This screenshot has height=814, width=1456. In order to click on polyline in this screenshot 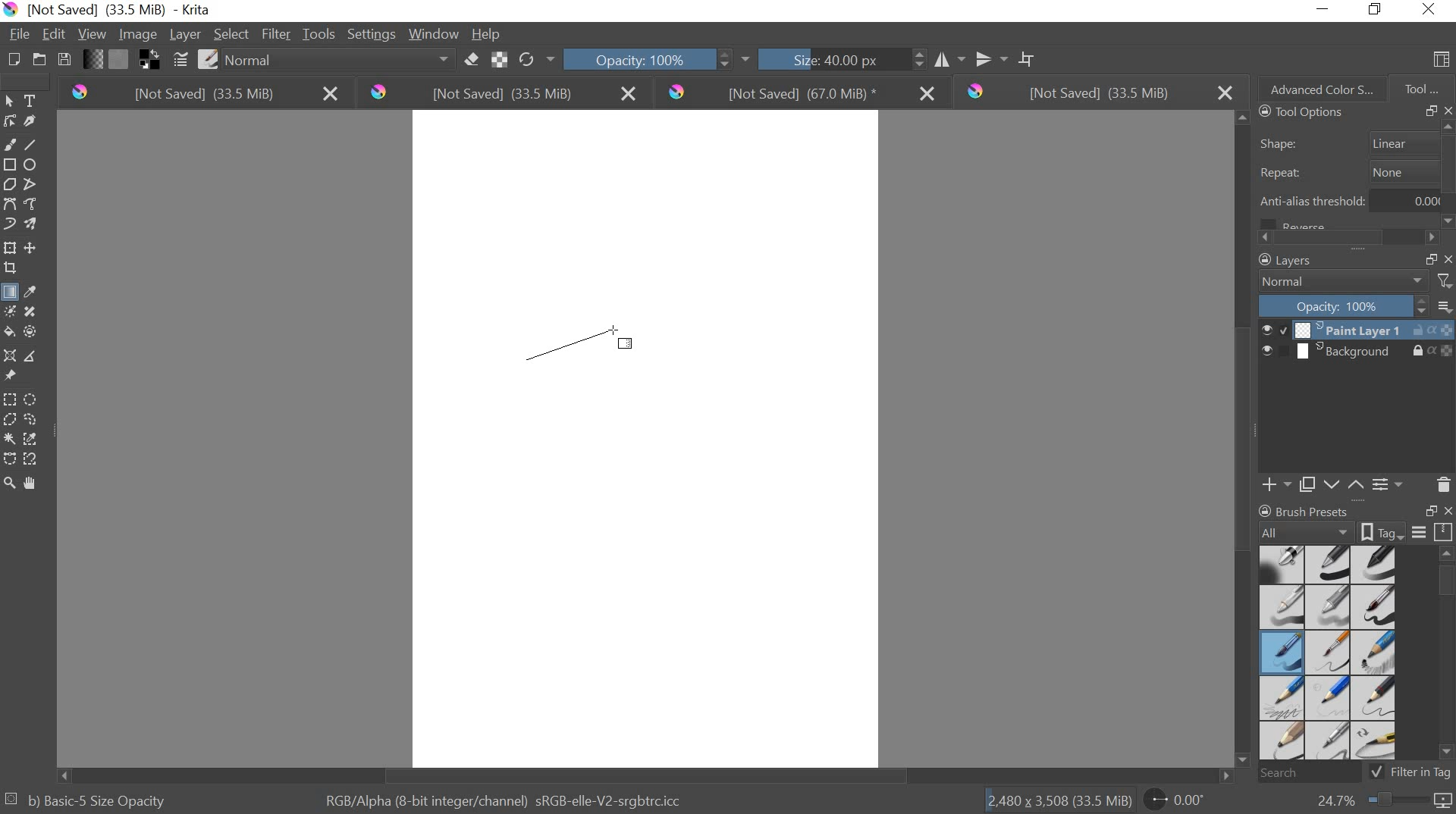, I will do `click(35, 185)`.